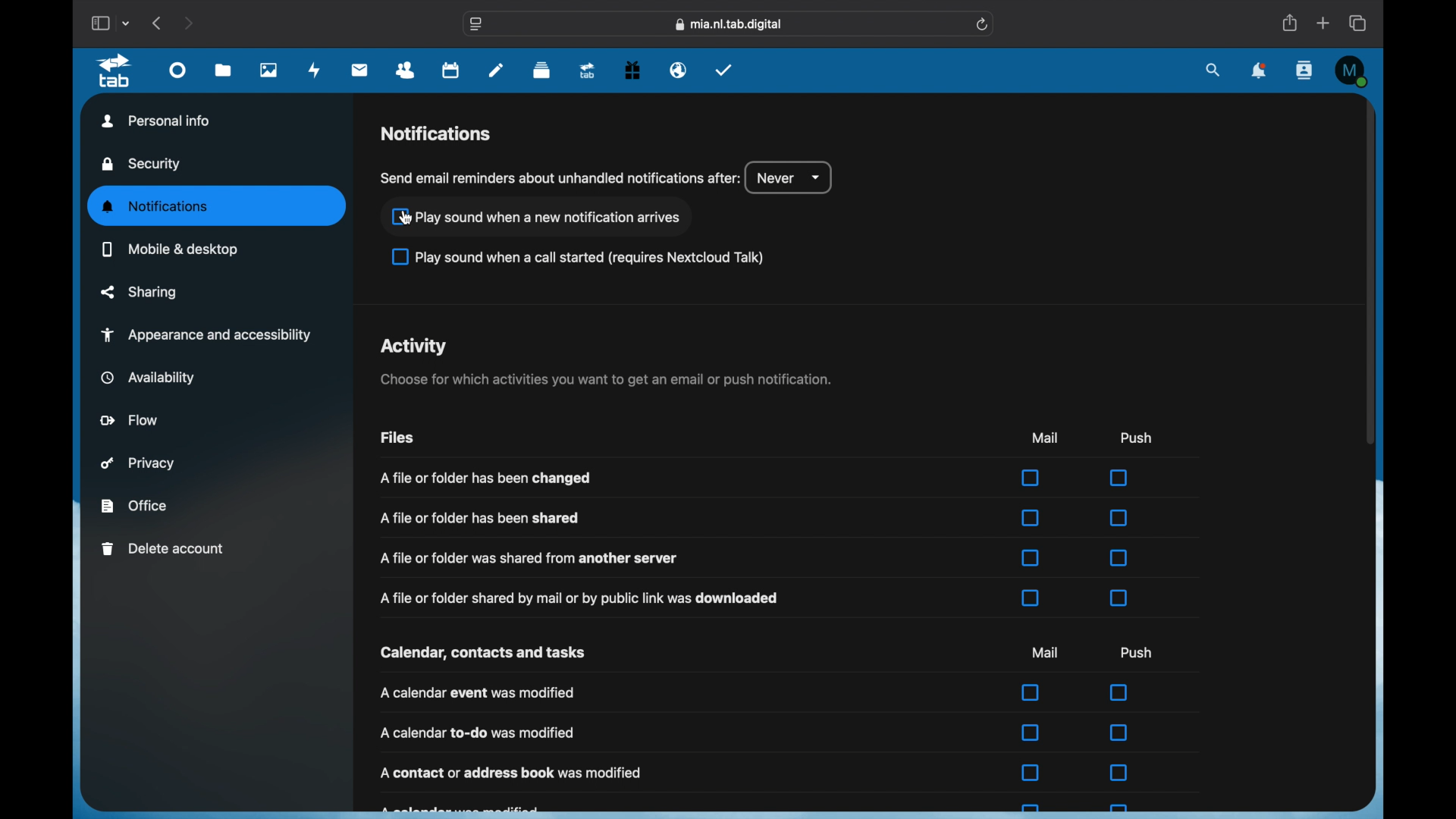  I want to click on a calender to do was magnified, so click(478, 733).